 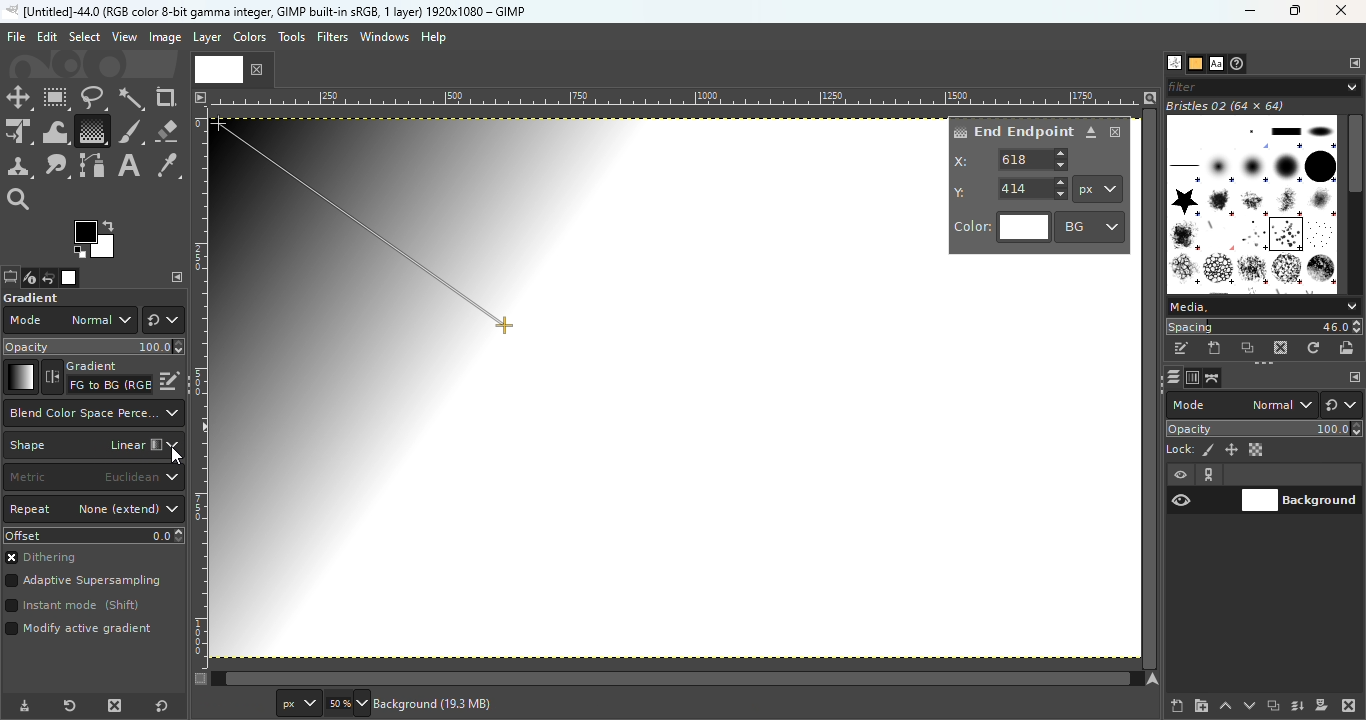 What do you see at coordinates (166, 97) in the screenshot?
I see `Crop tool` at bounding box center [166, 97].